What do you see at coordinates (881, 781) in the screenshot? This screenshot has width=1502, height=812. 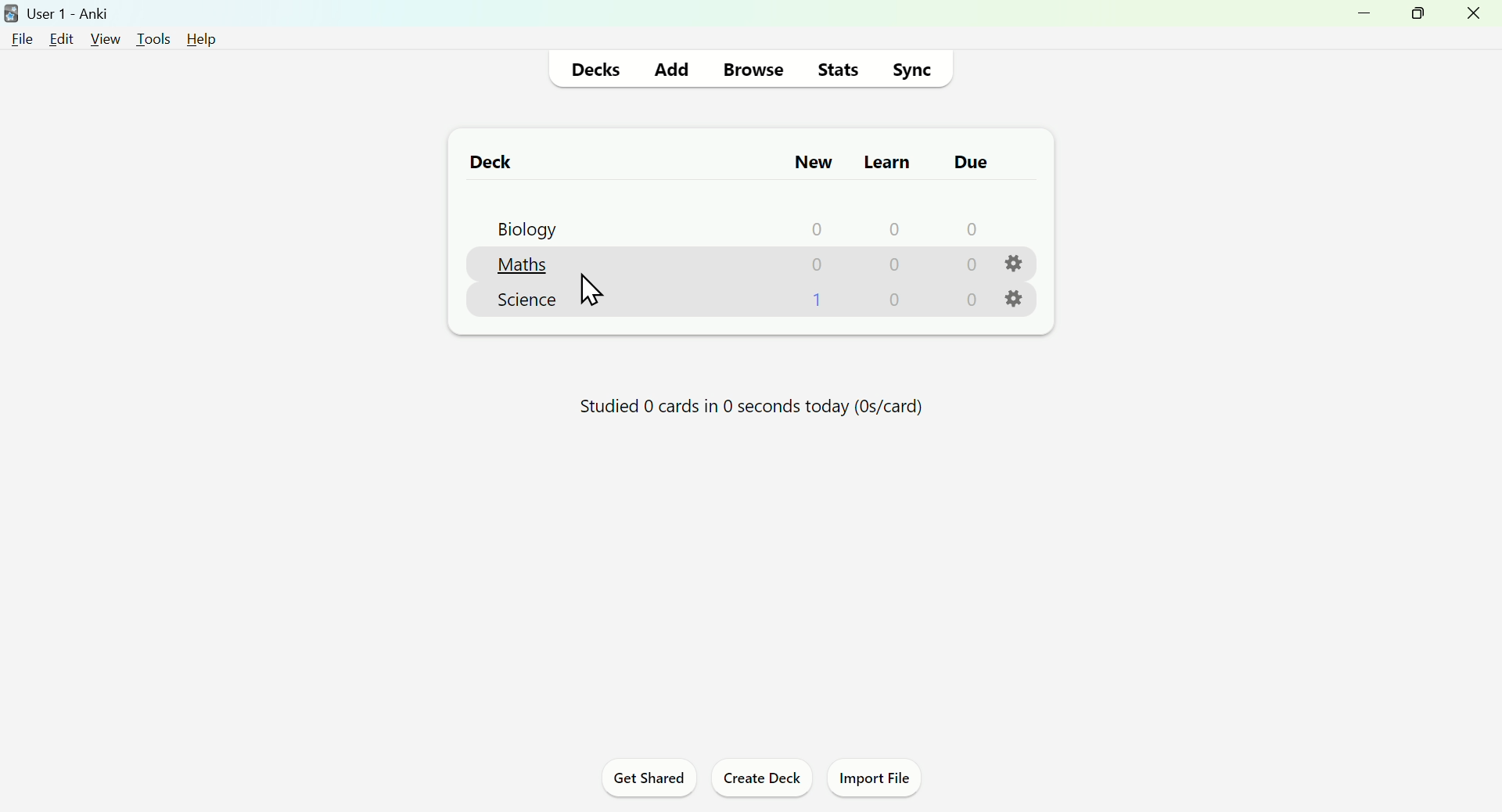 I see `Import File` at bounding box center [881, 781].